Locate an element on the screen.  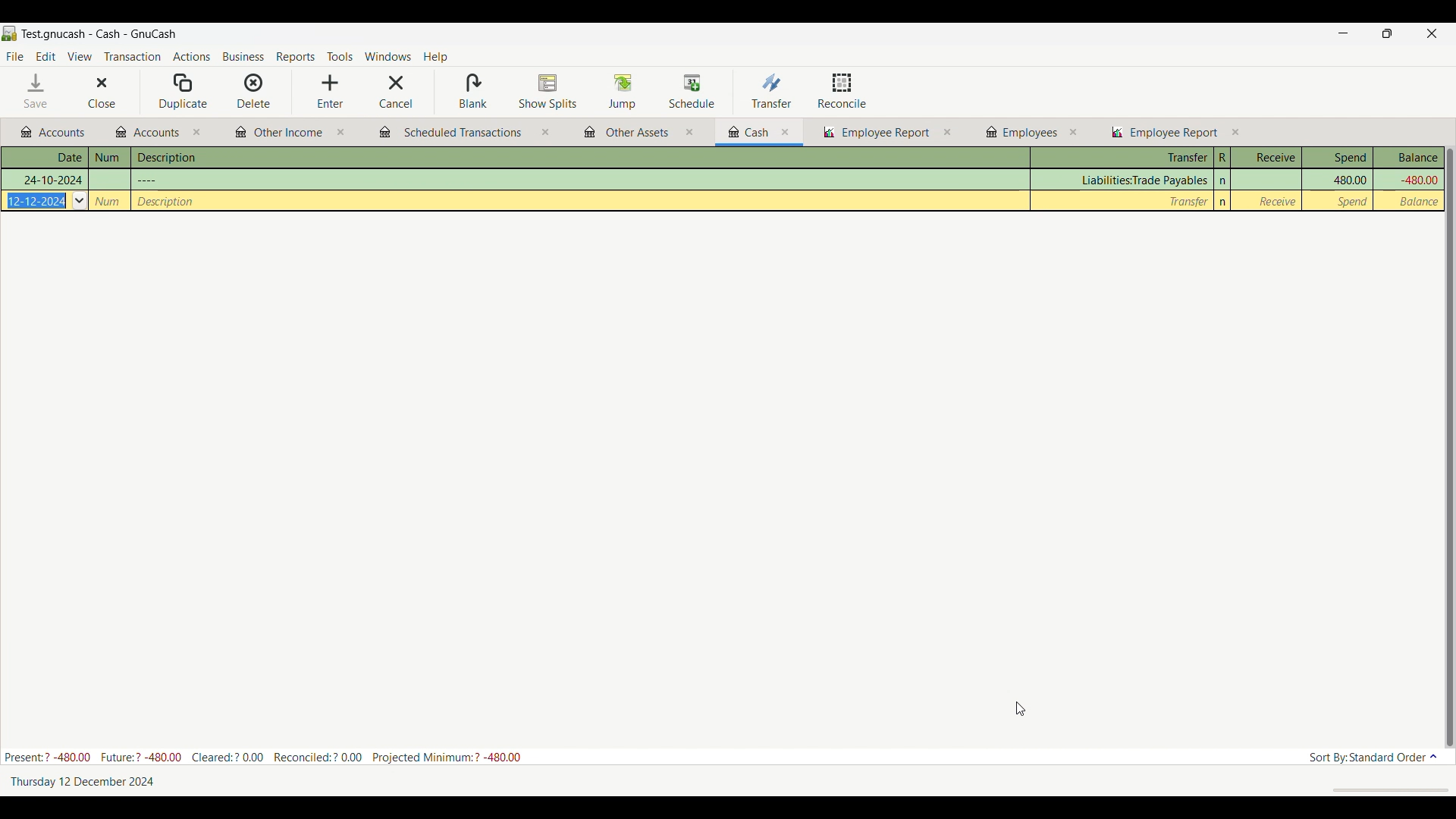
Transfer column is located at coordinates (1122, 158).